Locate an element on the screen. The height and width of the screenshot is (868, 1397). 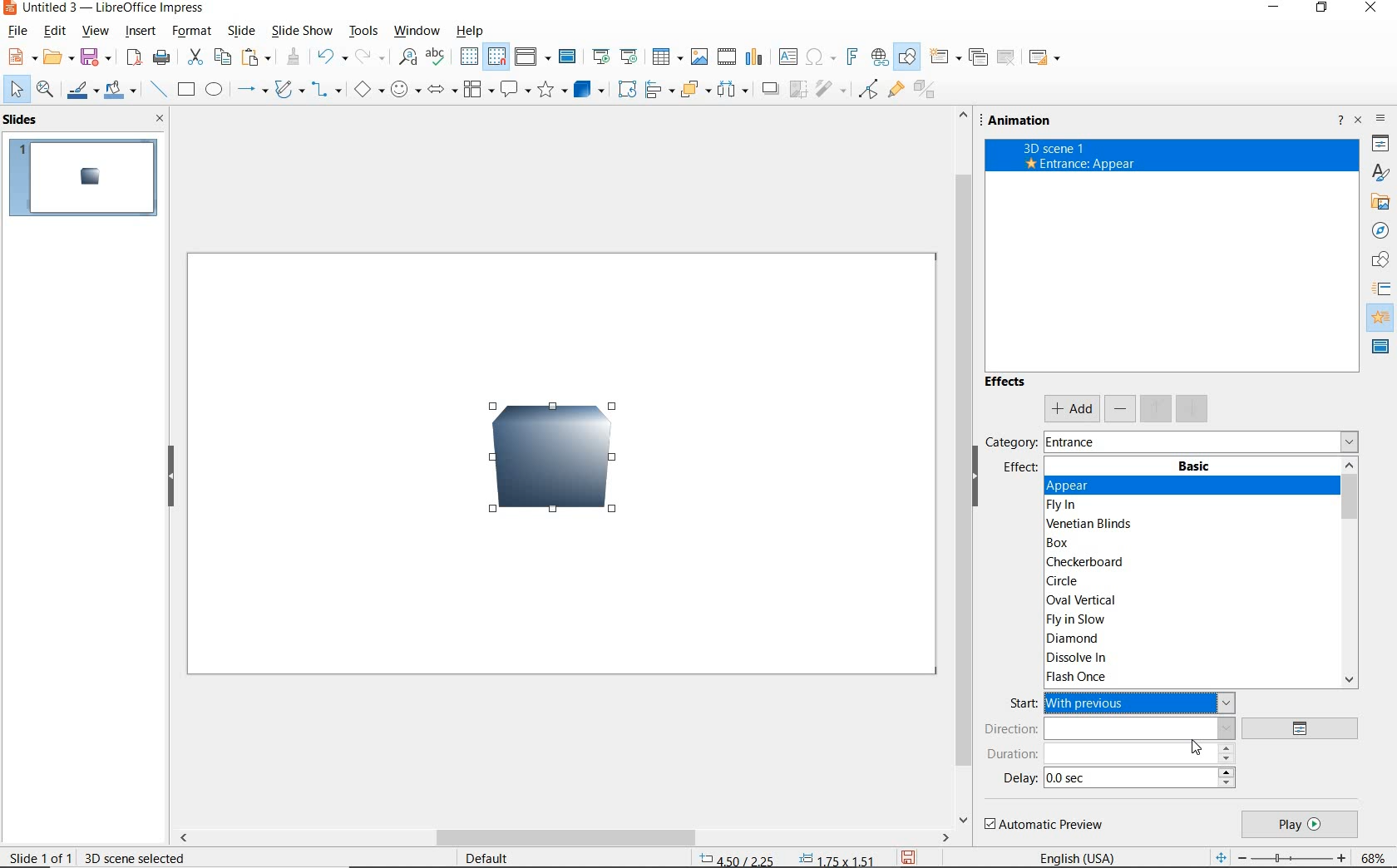
slide1 is located at coordinates (87, 179).